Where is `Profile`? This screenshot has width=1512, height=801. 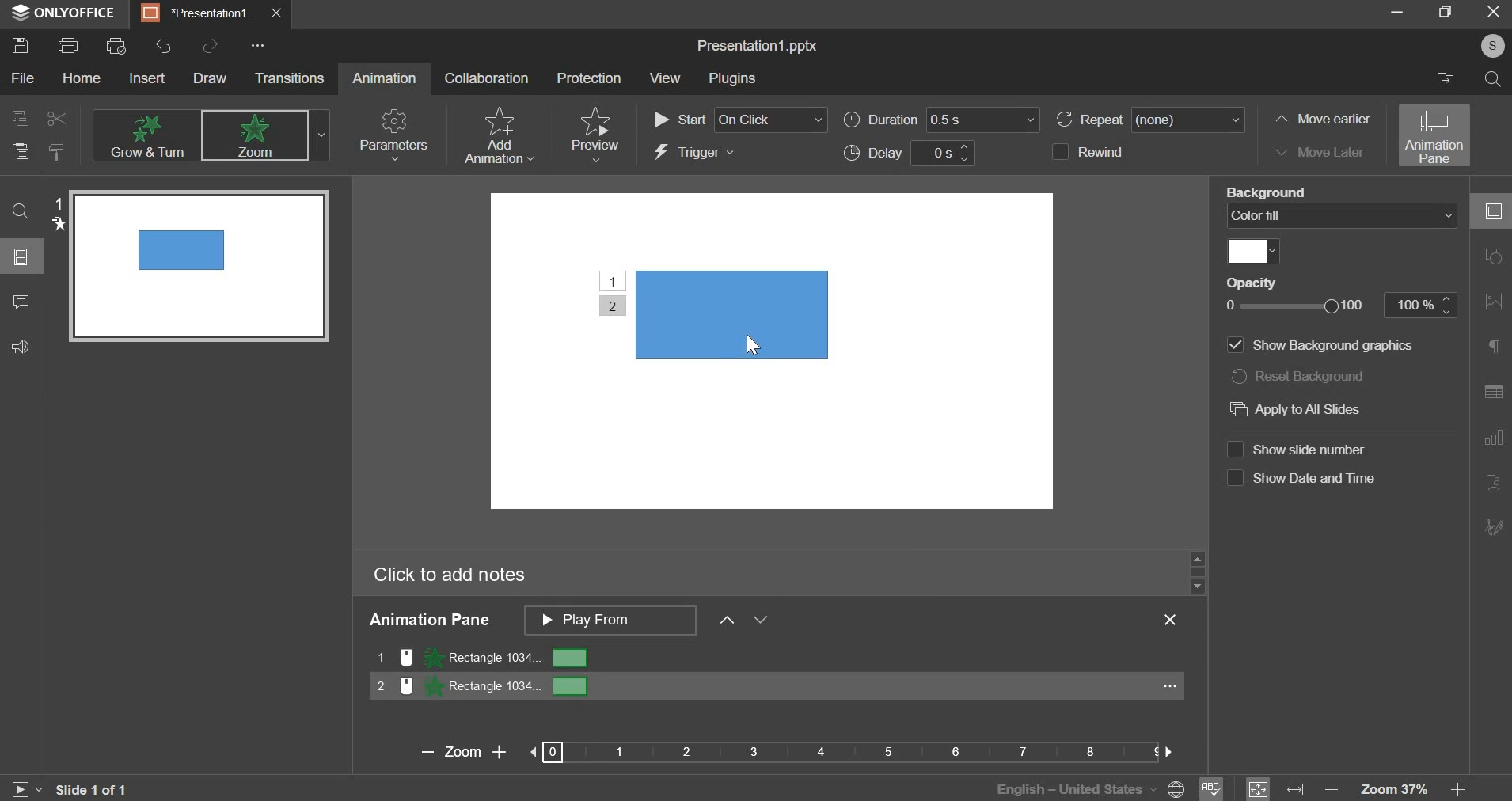 Profile is located at coordinates (1492, 46).